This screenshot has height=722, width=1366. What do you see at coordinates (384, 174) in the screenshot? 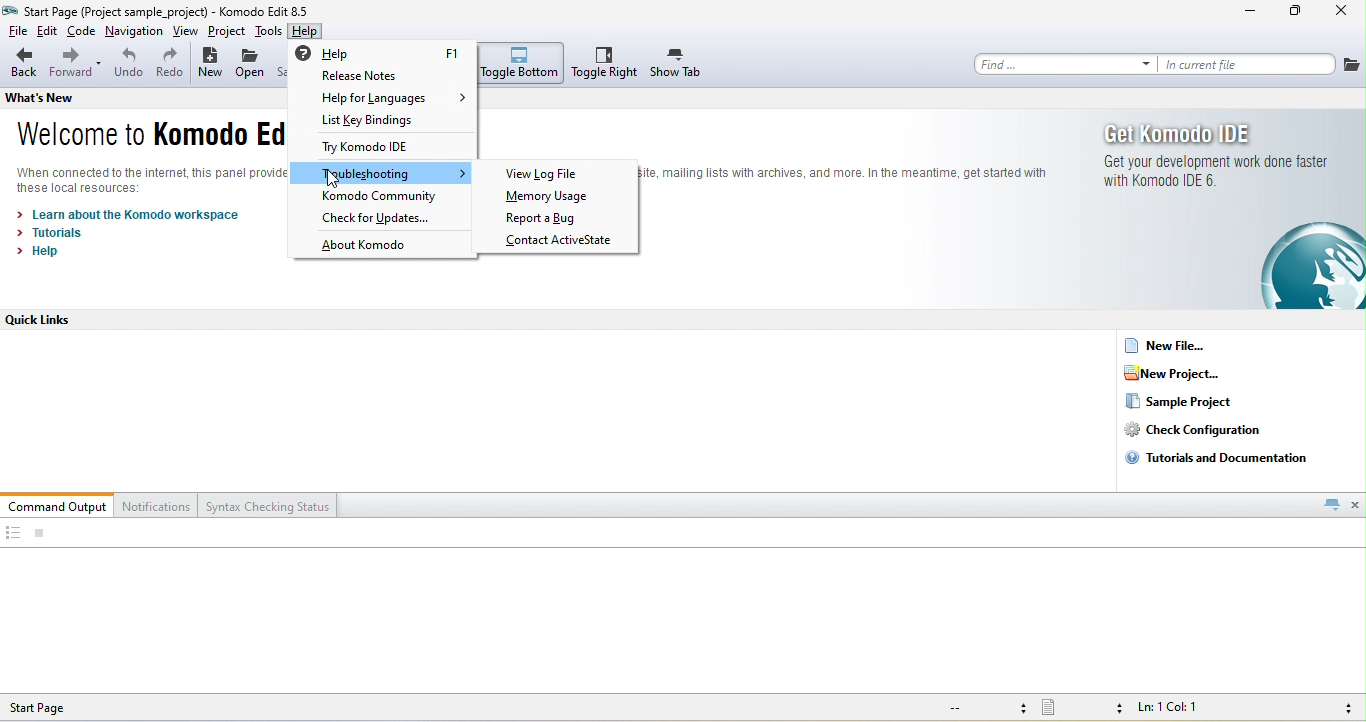
I see `troubleshooting` at bounding box center [384, 174].